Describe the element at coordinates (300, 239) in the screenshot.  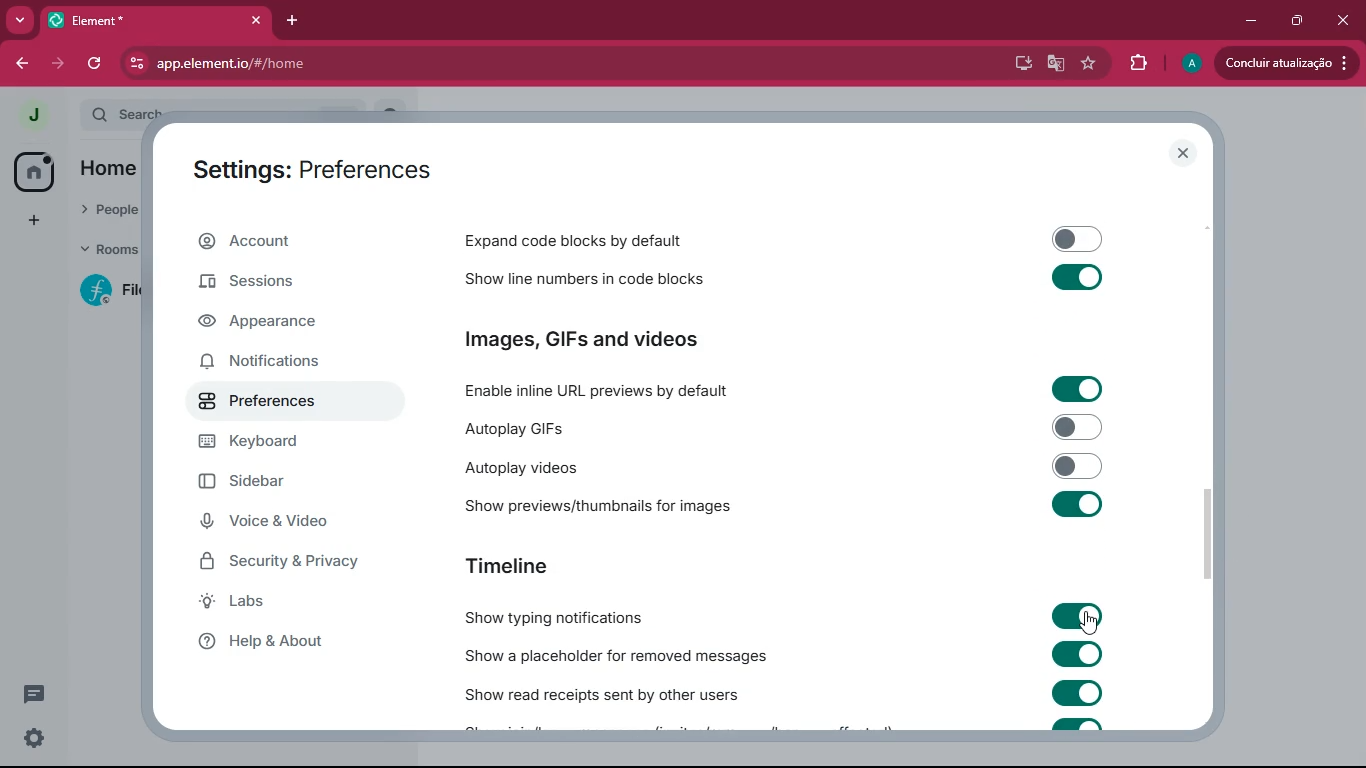
I see `account` at that location.